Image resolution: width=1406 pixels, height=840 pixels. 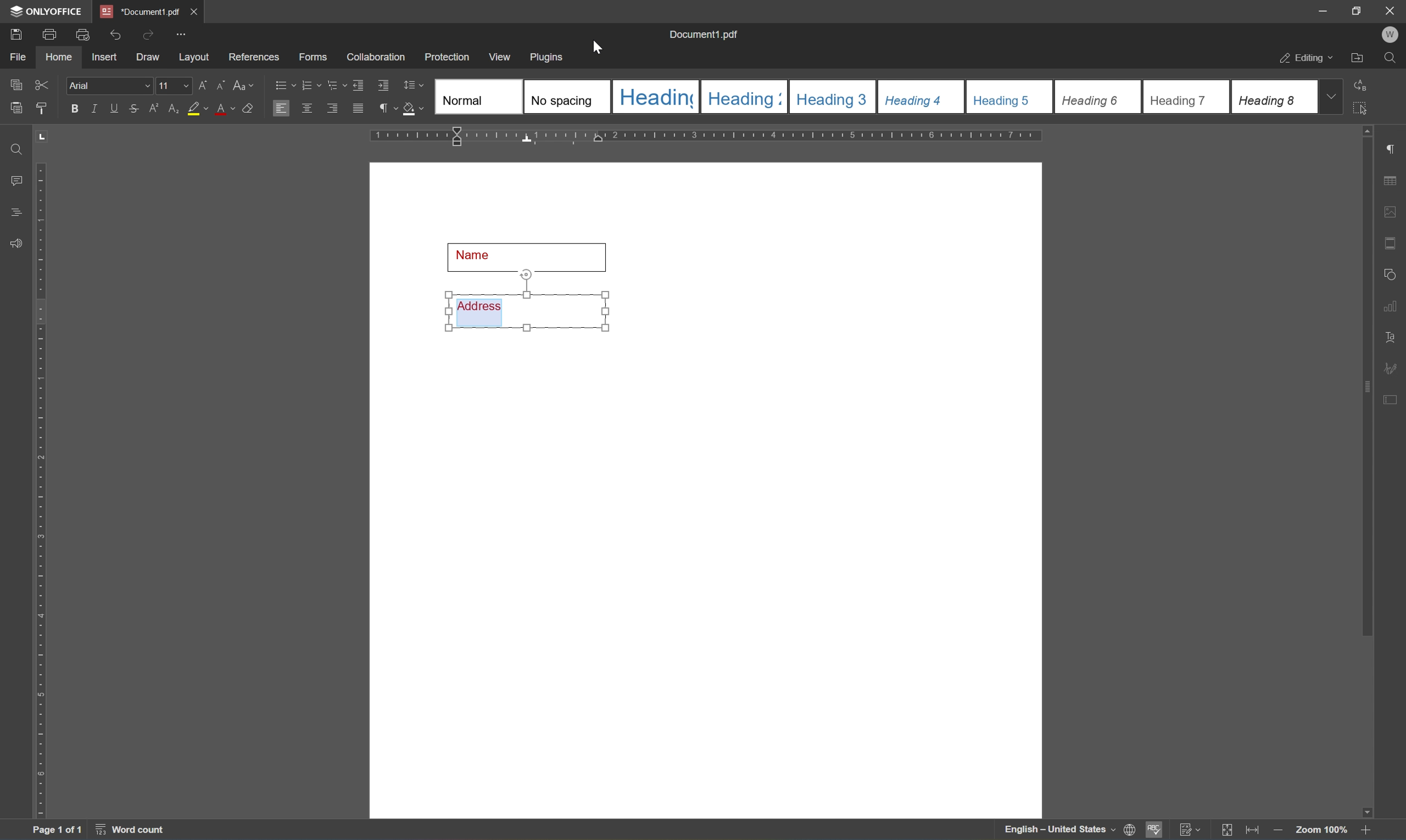 What do you see at coordinates (528, 302) in the screenshot?
I see `Address highlight` at bounding box center [528, 302].